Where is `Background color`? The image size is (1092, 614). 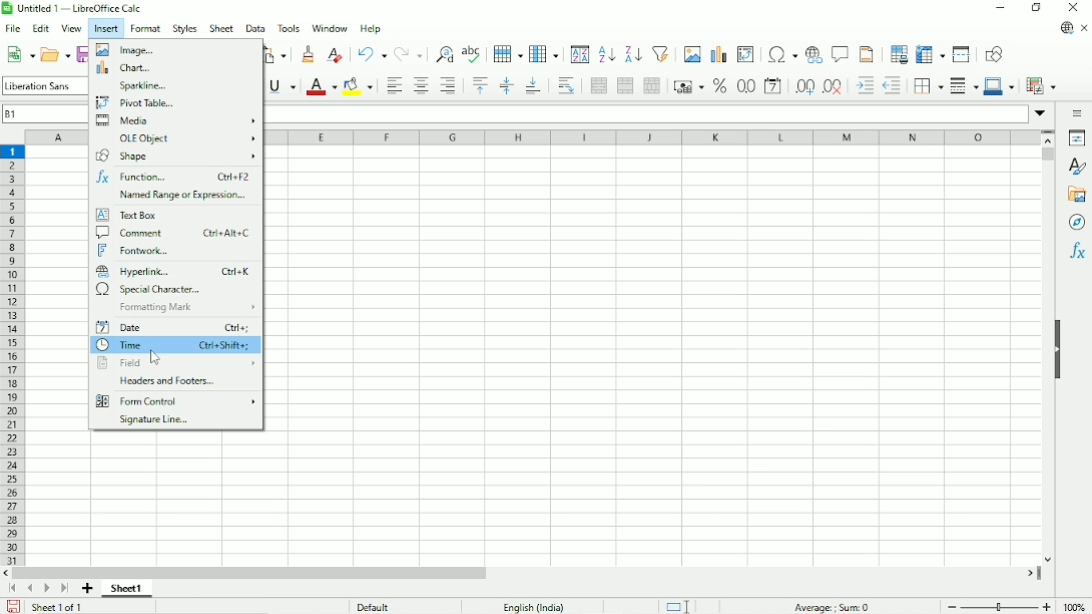
Background color is located at coordinates (357, 85).